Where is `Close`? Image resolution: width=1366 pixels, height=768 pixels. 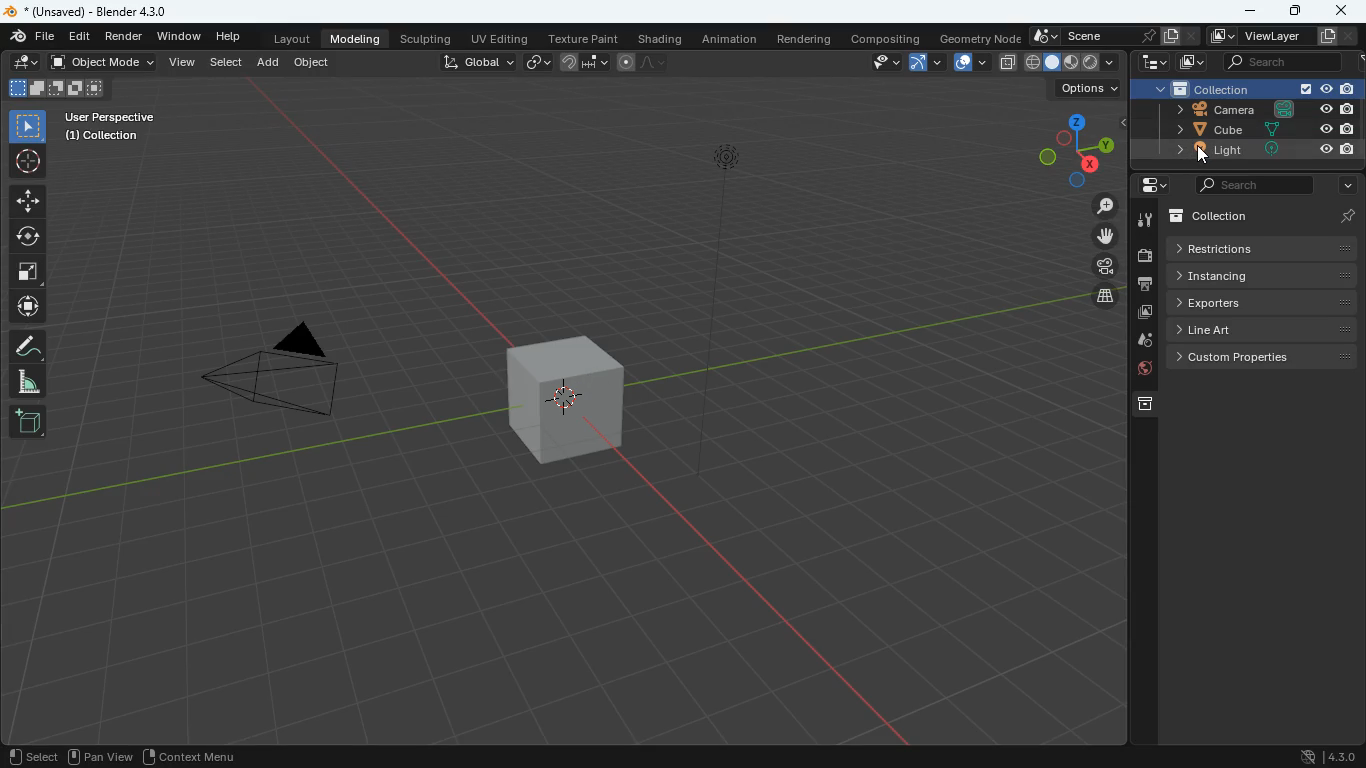
Close is located at coordinates (1191, 37).